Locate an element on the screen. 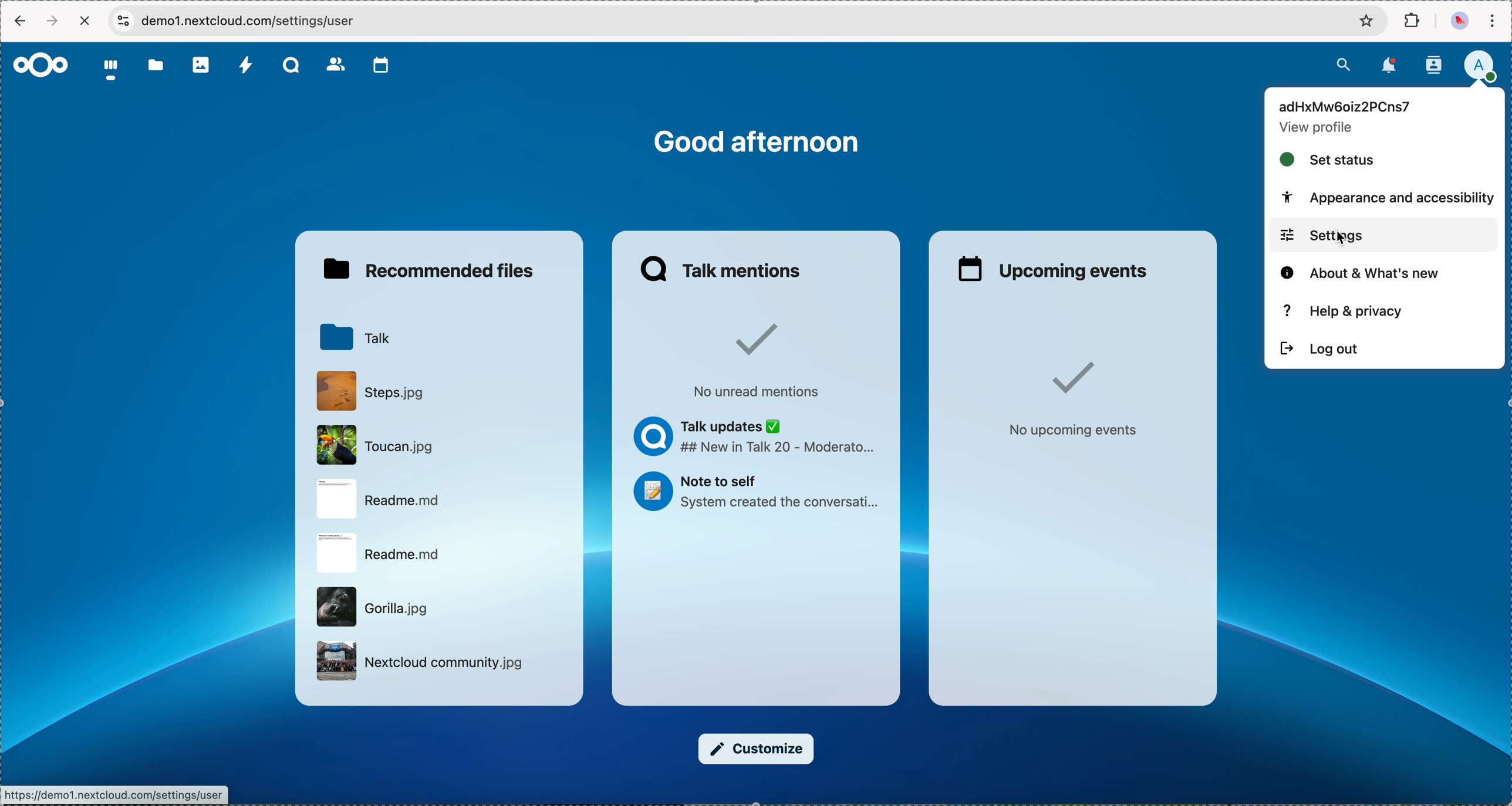 The height and width of the screenshot is (806, 1512). no unread mentions is located at coordinates (753, 360).